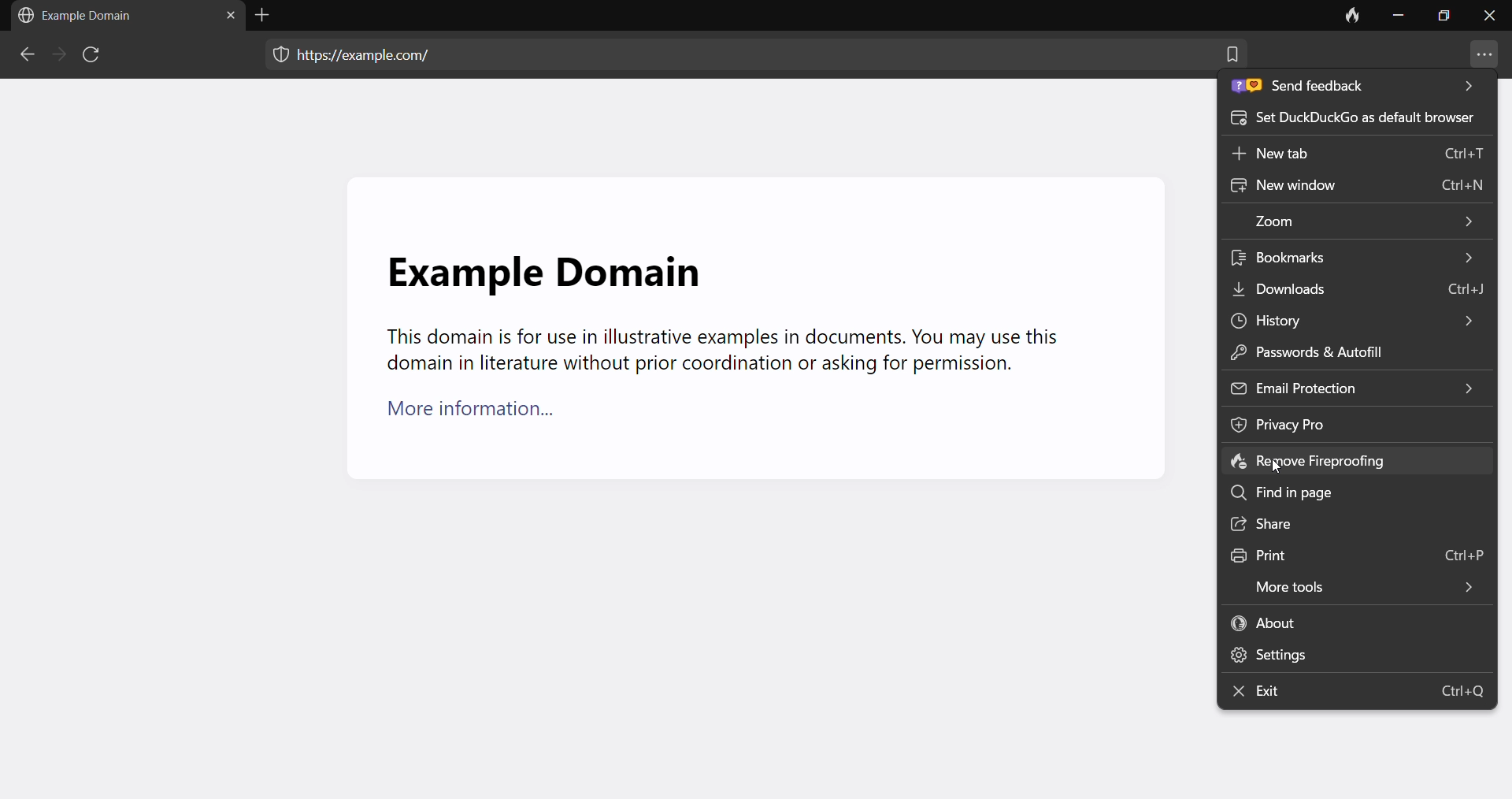 The height and width of the screenshot is (799, 1512). Describe the element at coordinates (1355, 386) in the screenshot. I see `email protection` at that location.